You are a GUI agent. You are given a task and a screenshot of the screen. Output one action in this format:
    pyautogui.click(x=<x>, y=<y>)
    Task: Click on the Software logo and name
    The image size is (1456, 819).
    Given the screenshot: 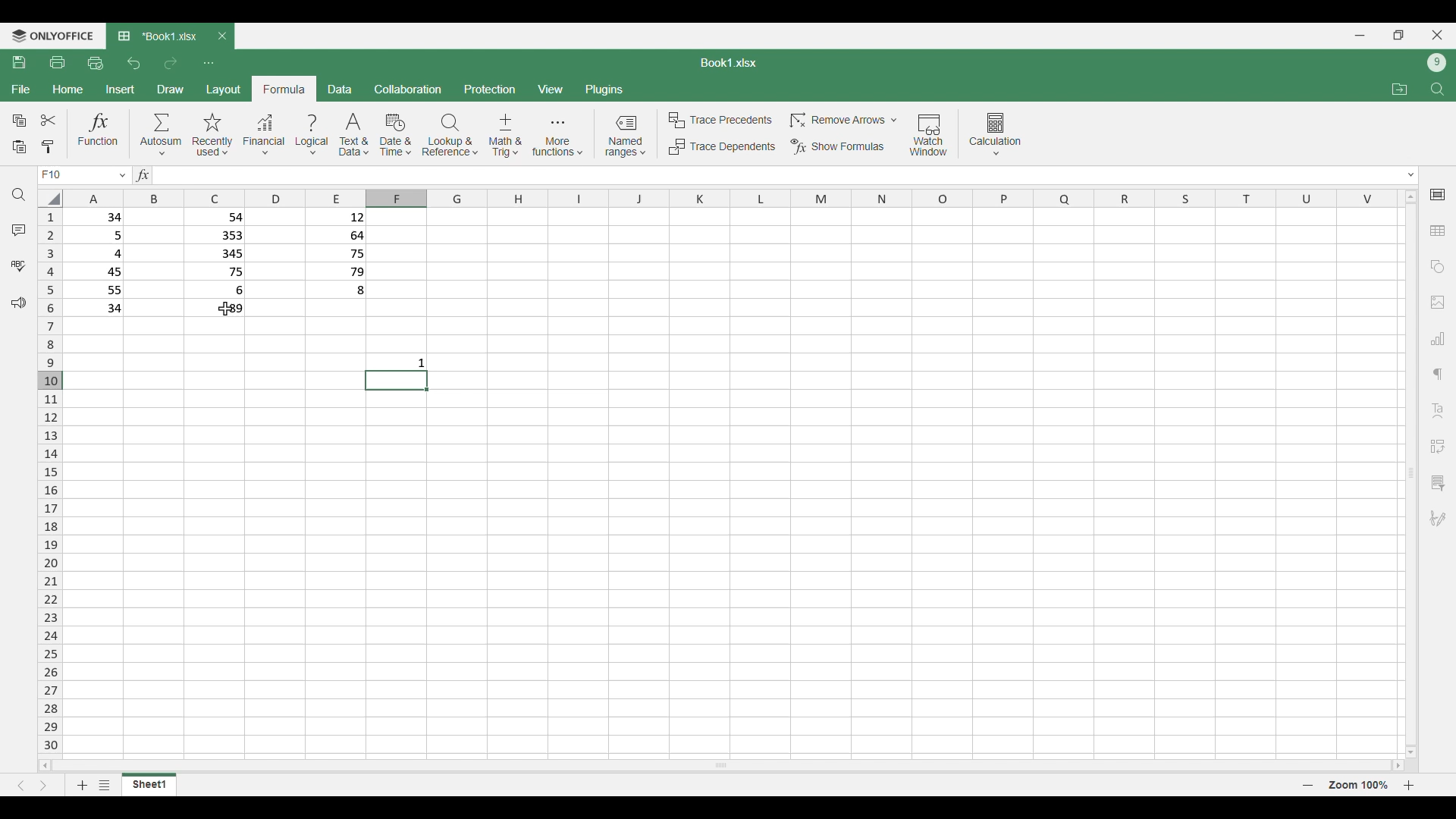 What is the action you would take?
    pyautogui.click(x=52, y=36)
    